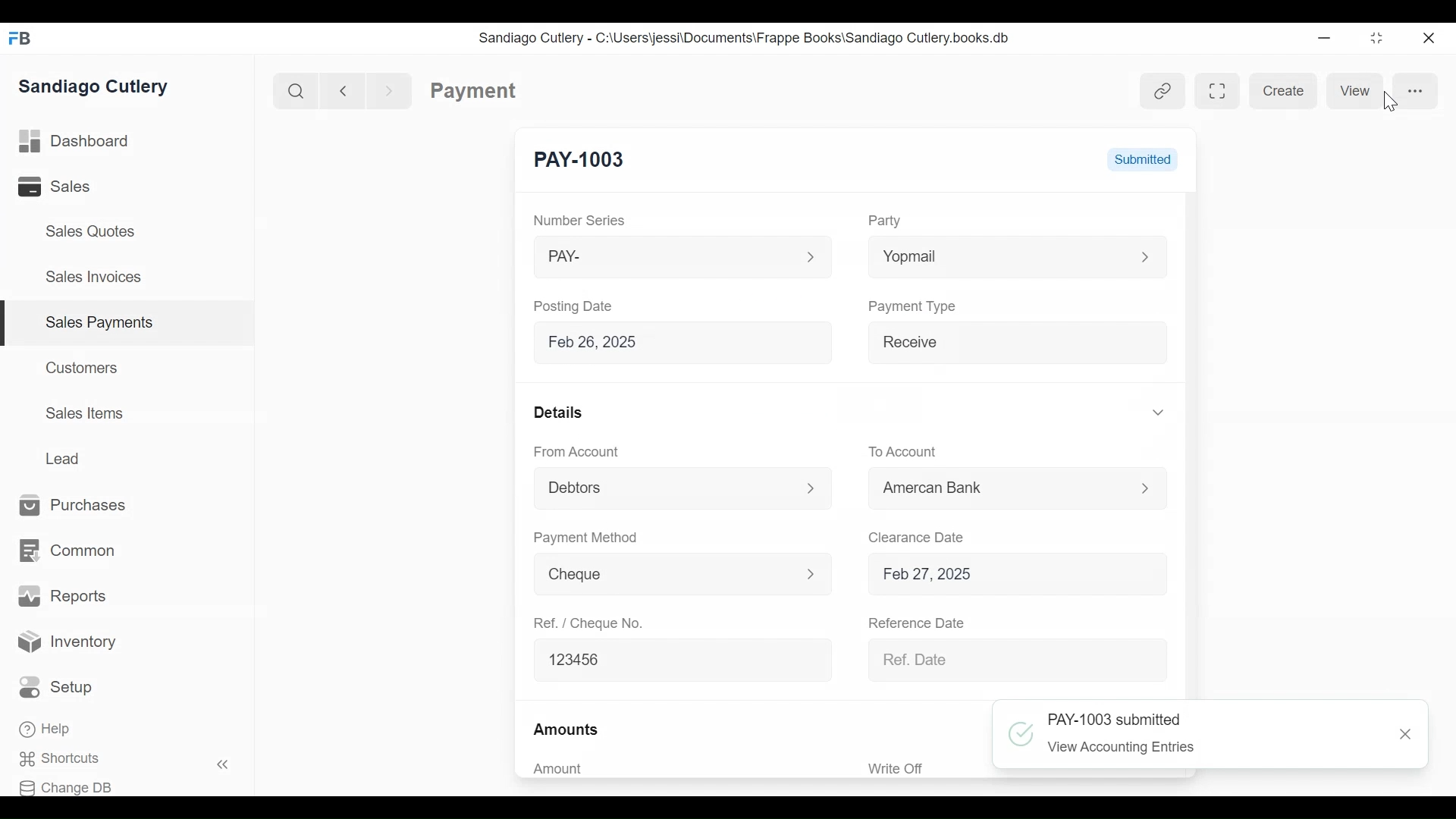  Describe the element at coordinates (812, 573) in the screenshot. I see `Expand` at that location.